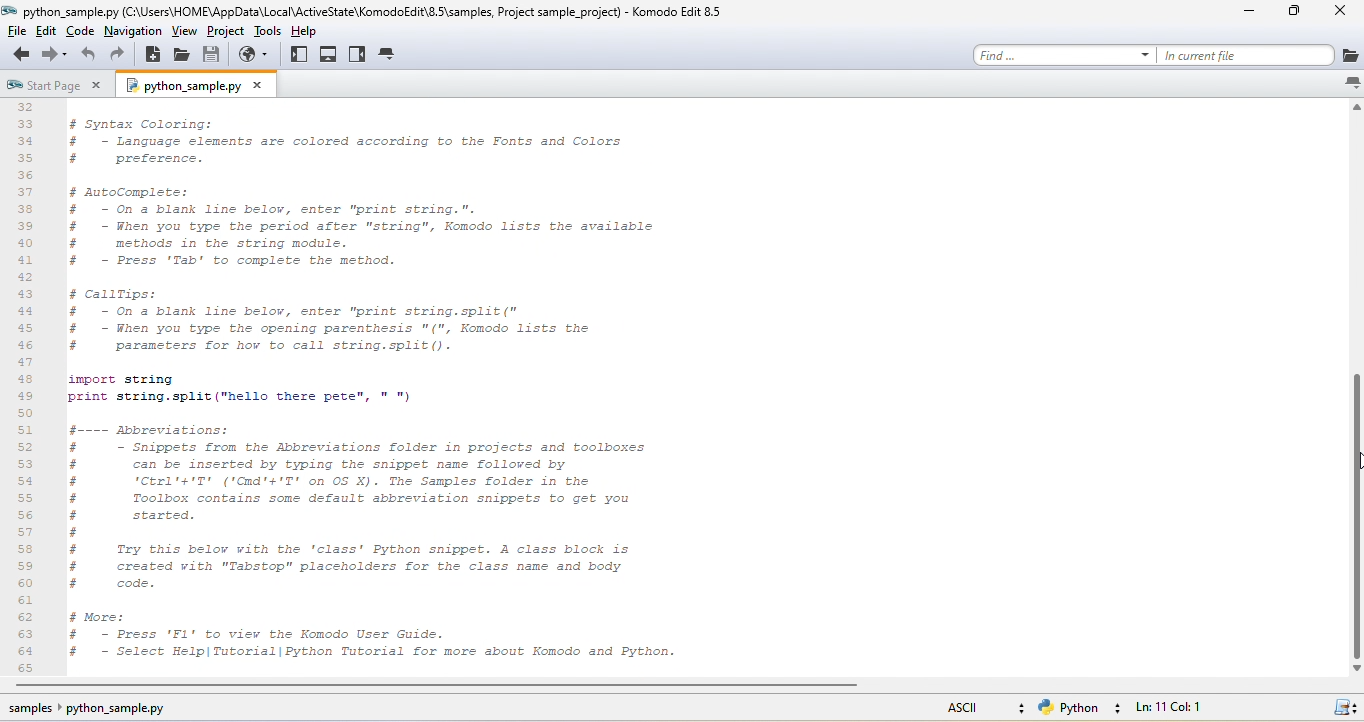 The image size is (1364, 722). Describe the element at coordinates (1350, 83) in the screenshot. I see `list all tabs` at that location.